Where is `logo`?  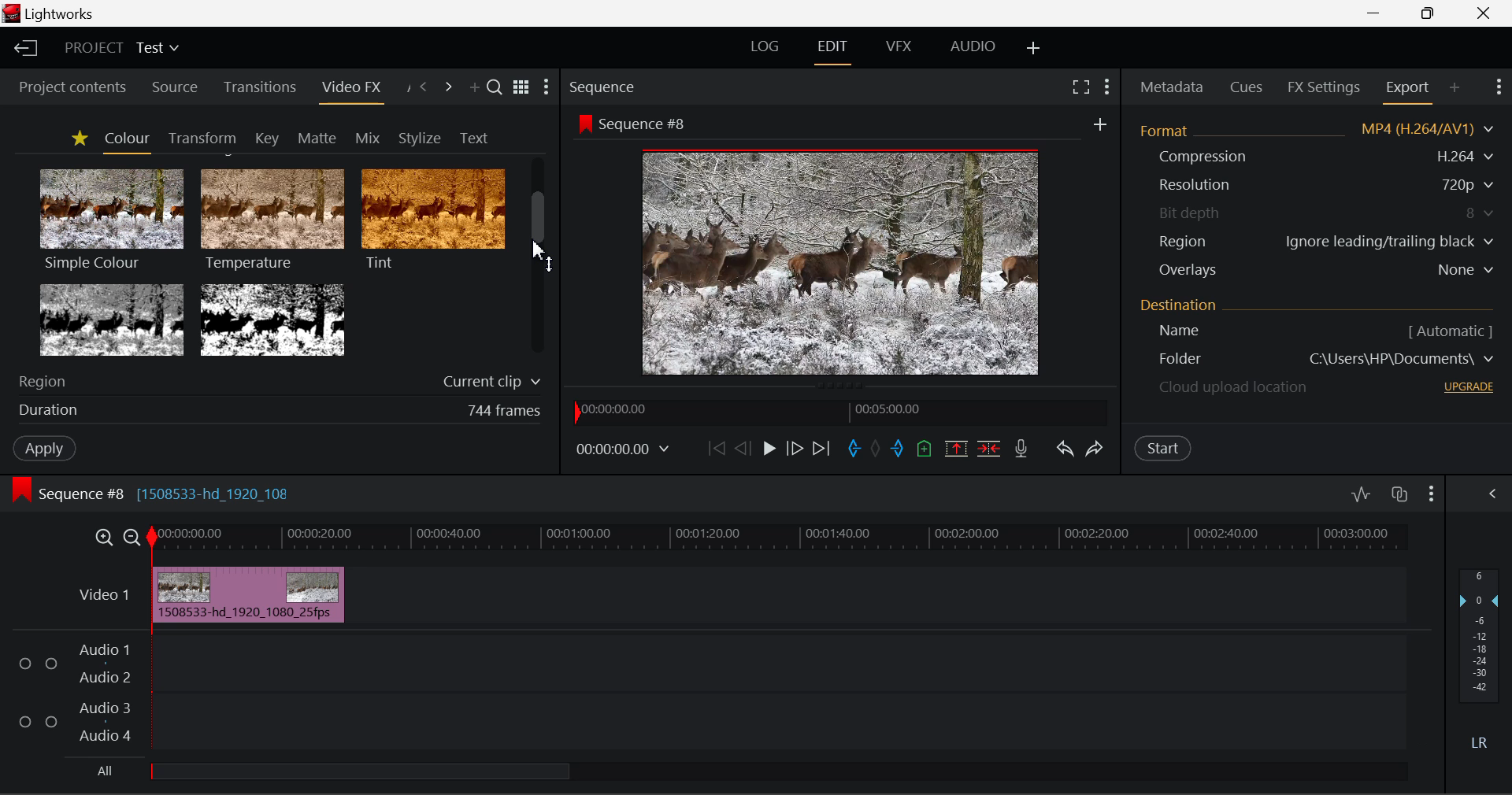
logo is located at coordinates (11, 13).